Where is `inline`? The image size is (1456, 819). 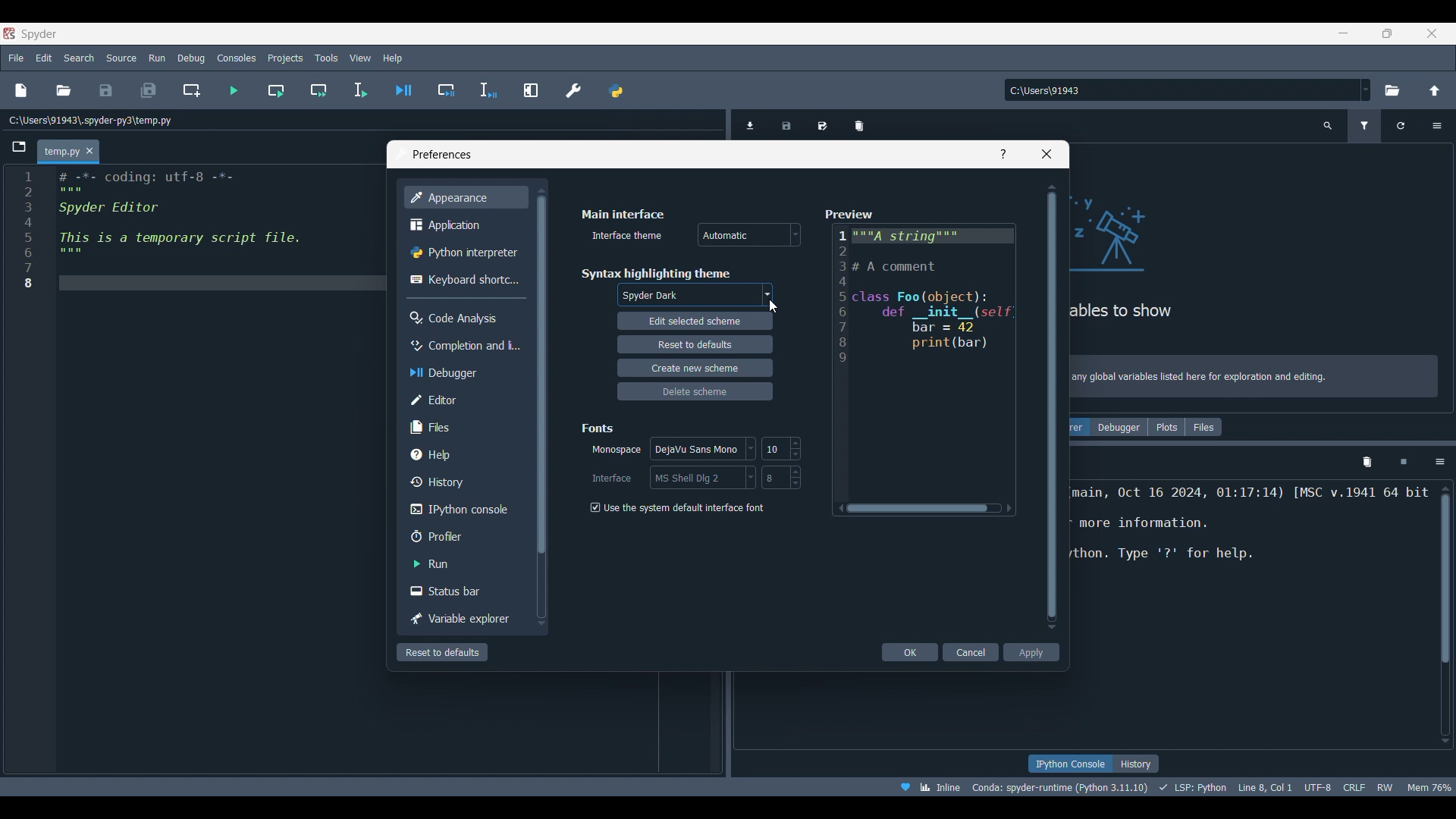
inline is located at coordinates (927, 786).